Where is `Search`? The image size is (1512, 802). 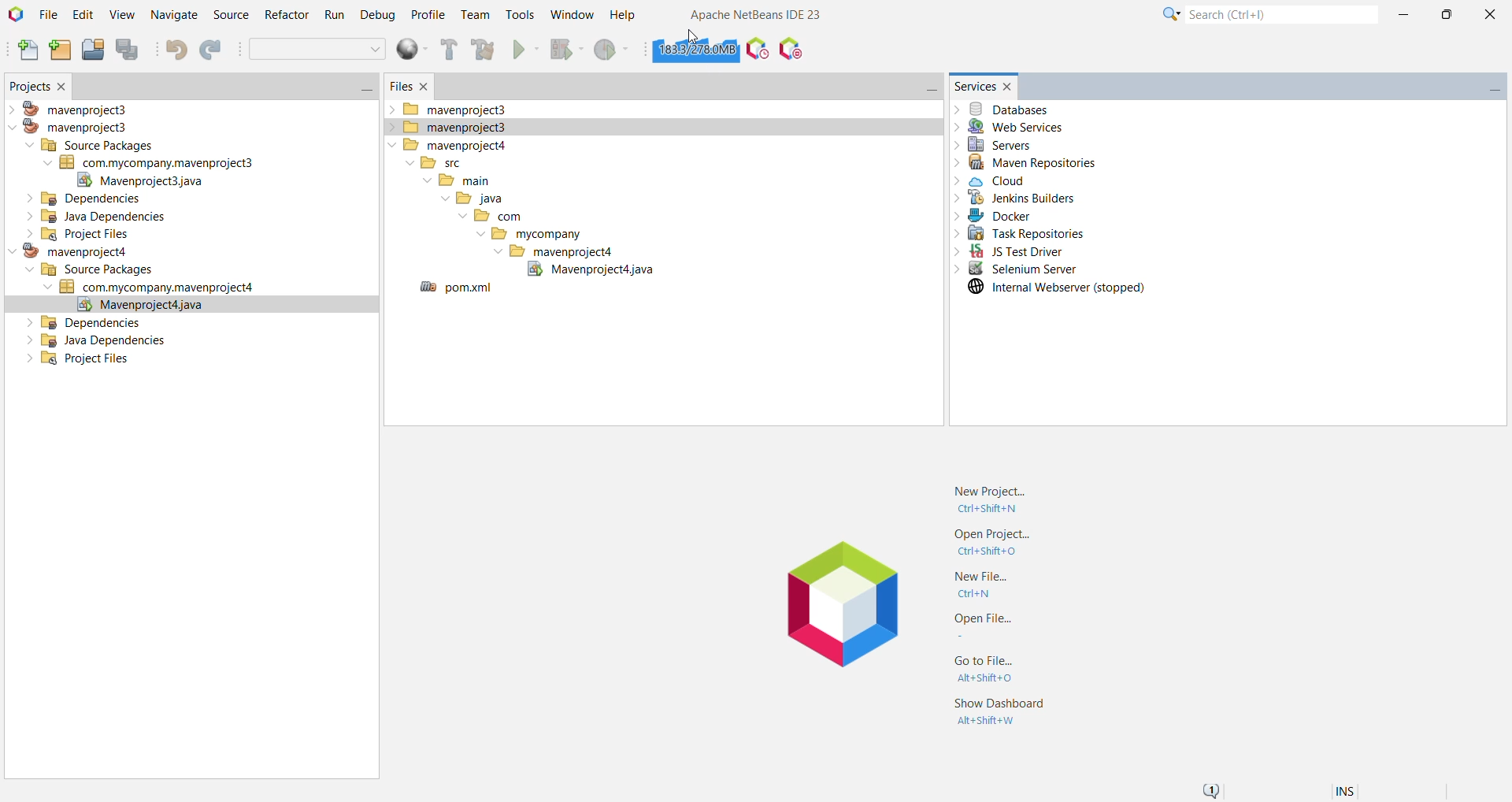
Search is located at coordinates (1280, 16).